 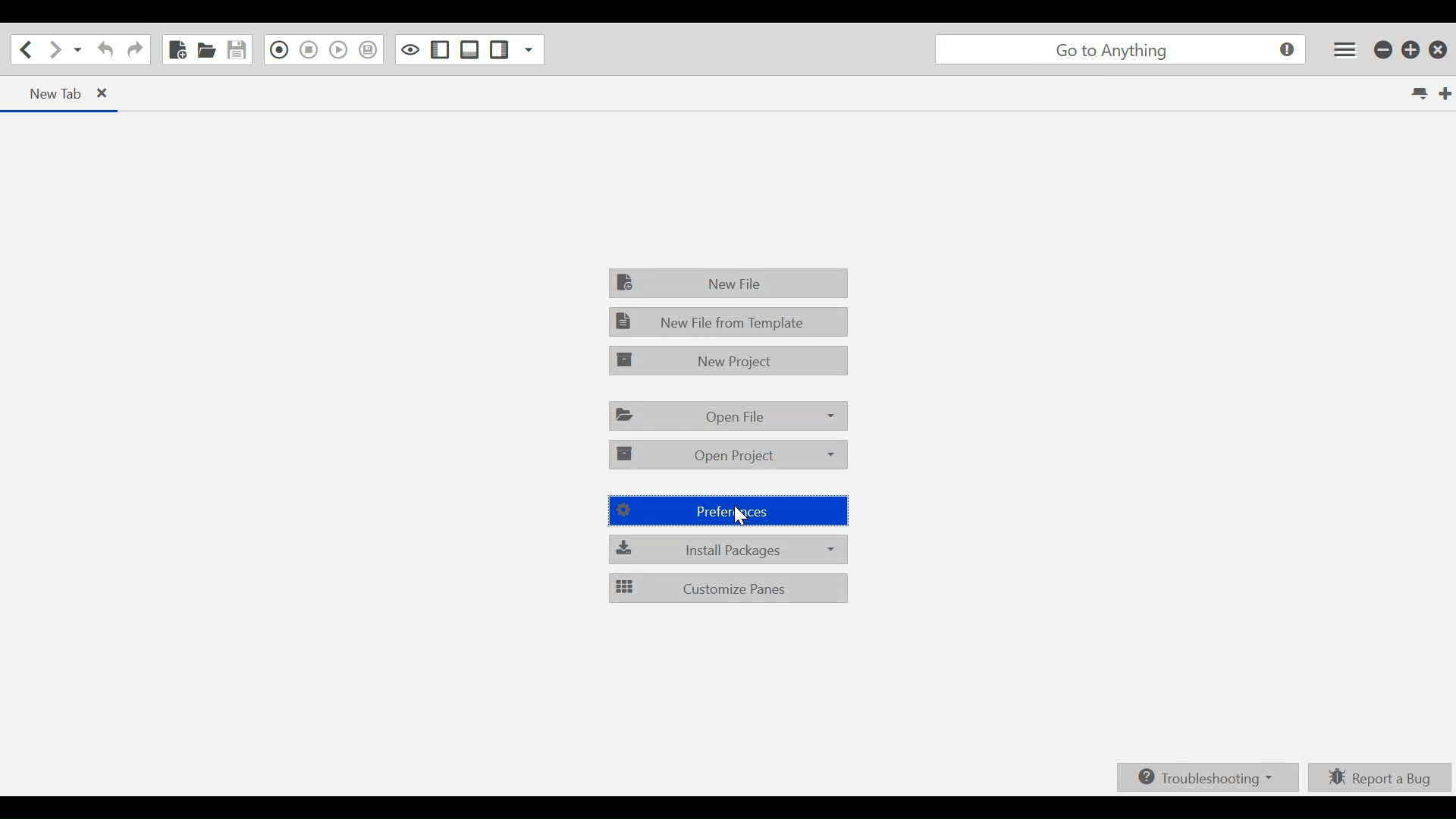 I want to click on New Tab, so click(x=1445, y=92).